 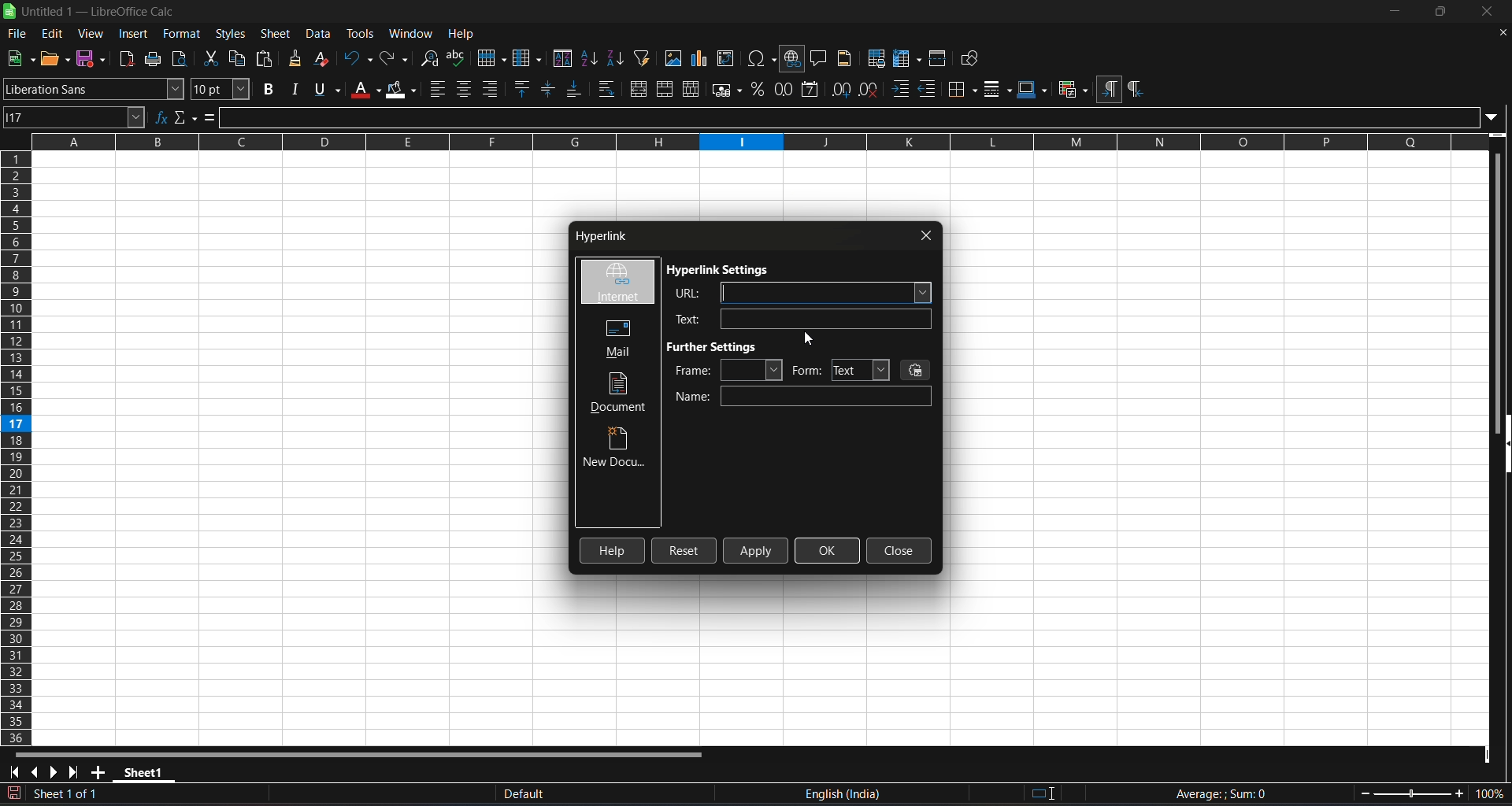 What do you see at coordinates (99, 12) in the screenshot?
I see `title` at bounding box center [99, 12].